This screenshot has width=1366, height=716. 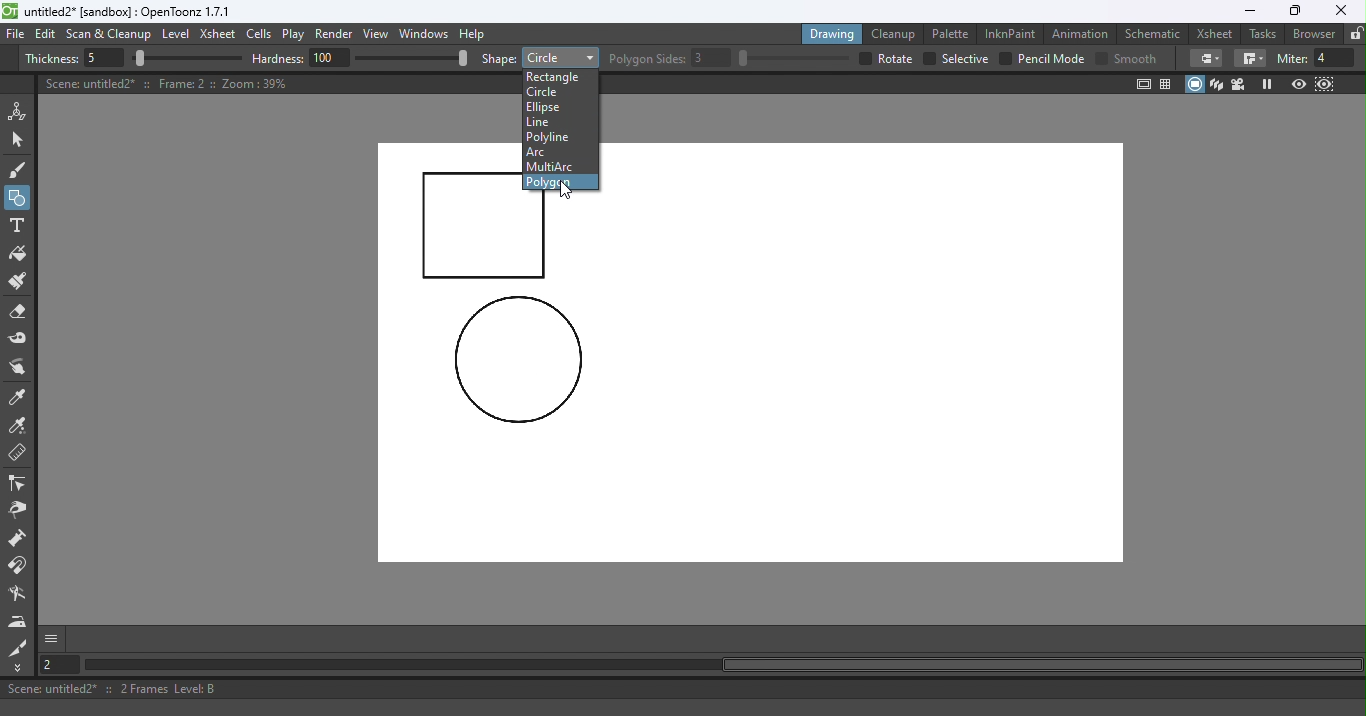 What do you see at coordinates (475, 33) in the screenshot?
I see `Help` at bounding box center [475, 33].